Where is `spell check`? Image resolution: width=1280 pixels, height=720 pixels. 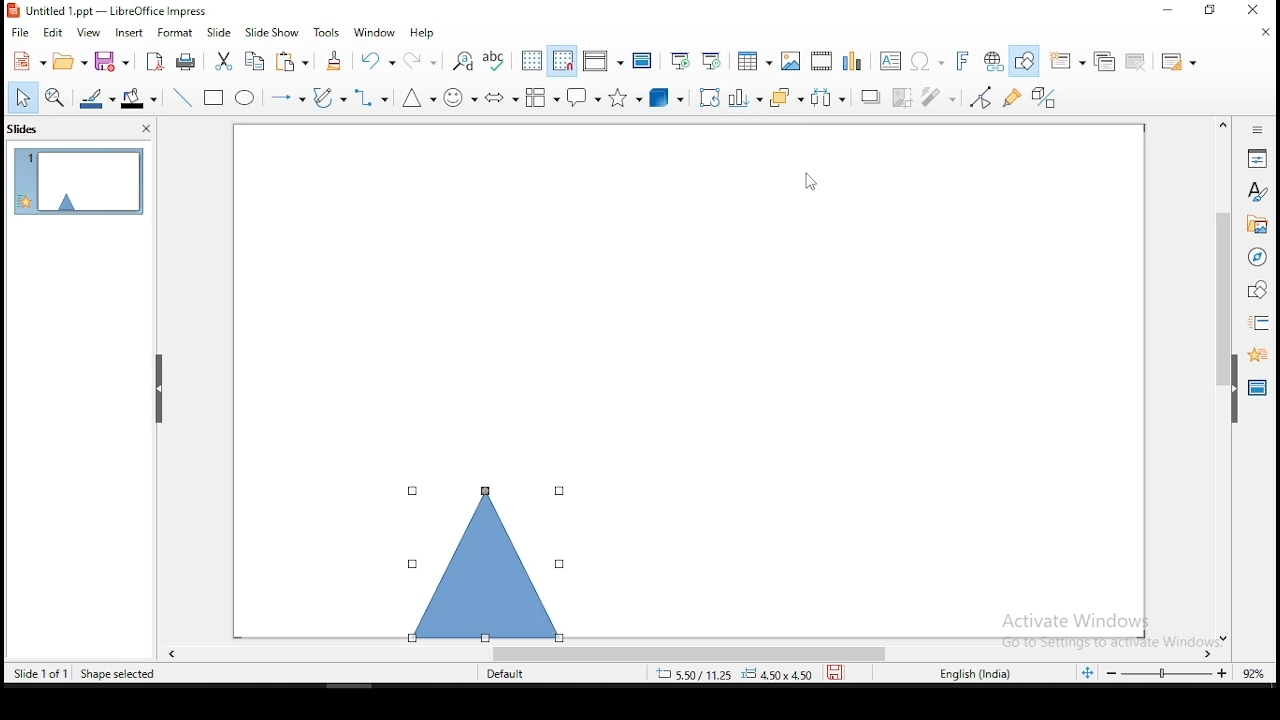 spell check is located at coordinates (497, 61).